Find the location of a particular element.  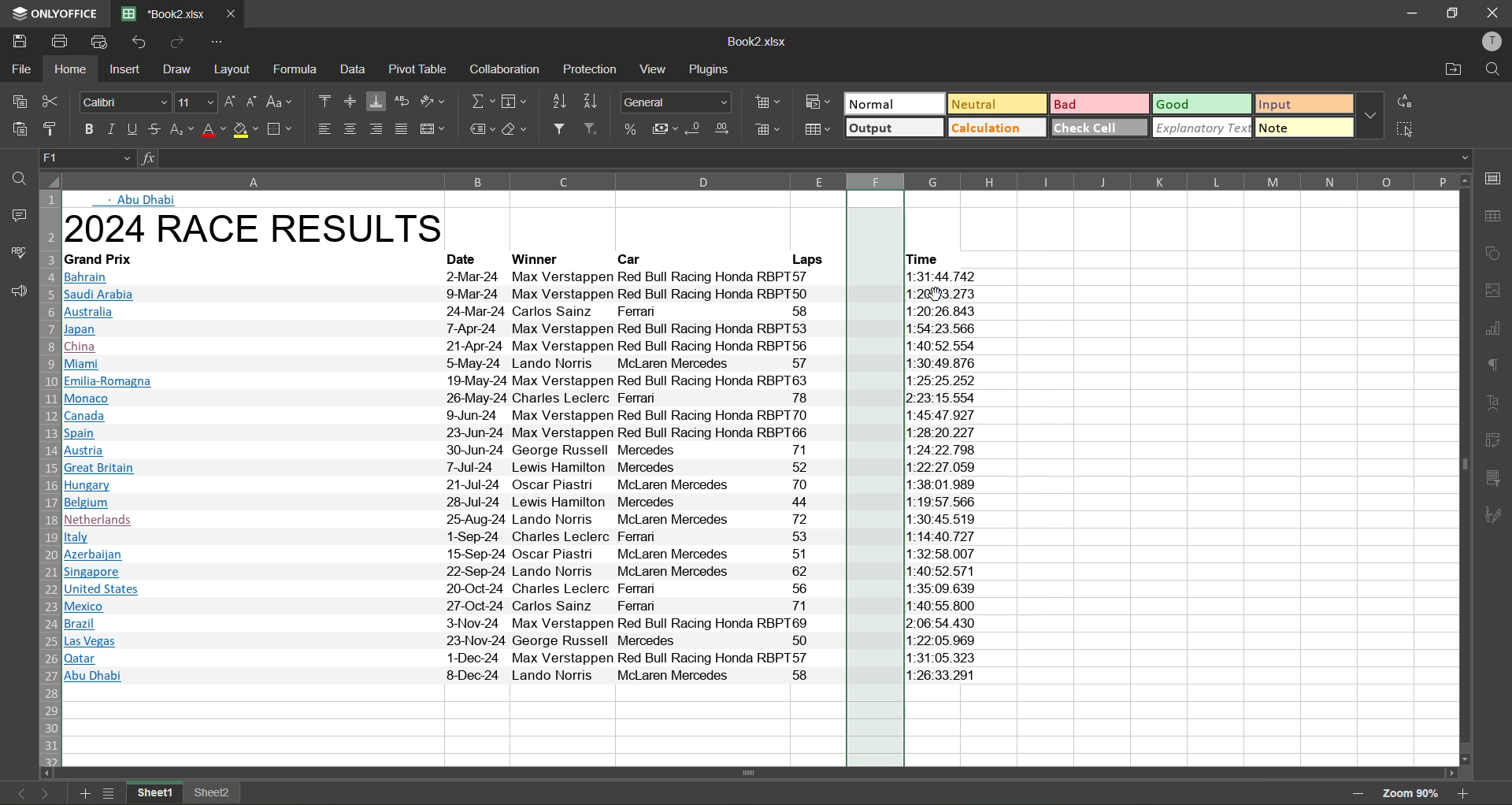

customize quick access toolbar is located at coordinates (220, 42).